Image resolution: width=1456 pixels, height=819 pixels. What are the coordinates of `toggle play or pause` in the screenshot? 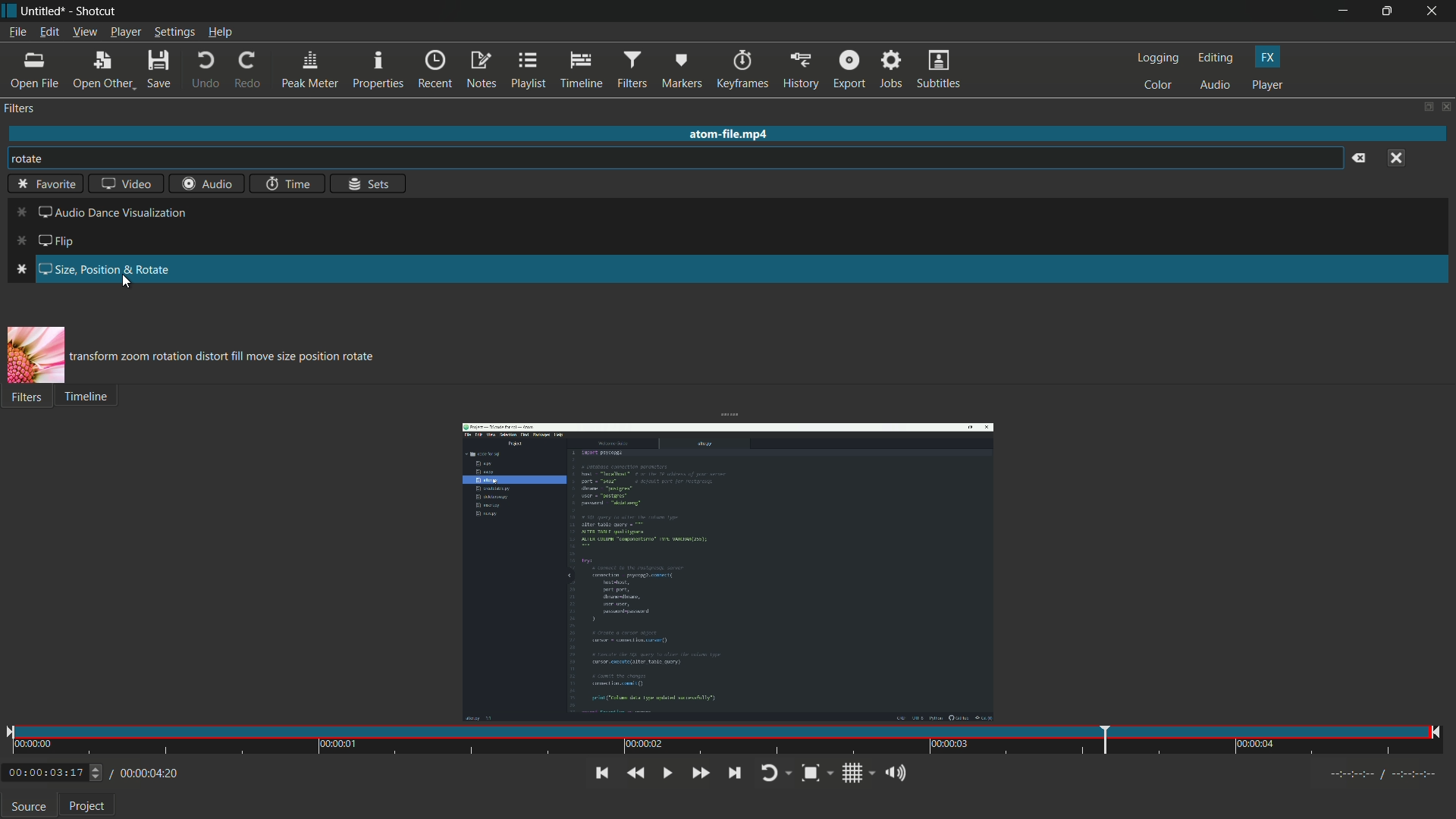 It's located at (667, 774).